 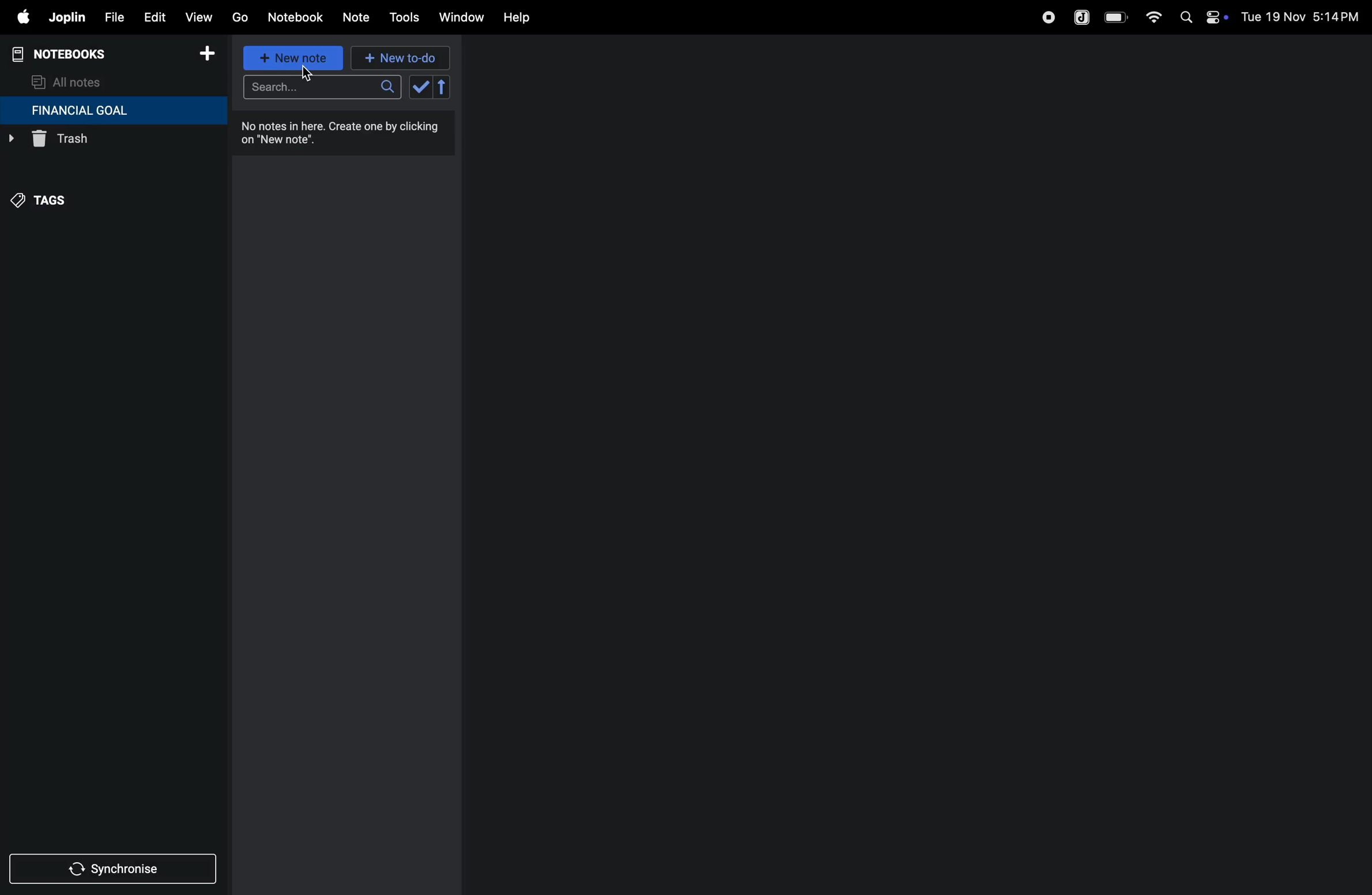 I want to click on file, so click(x=110, y=16).